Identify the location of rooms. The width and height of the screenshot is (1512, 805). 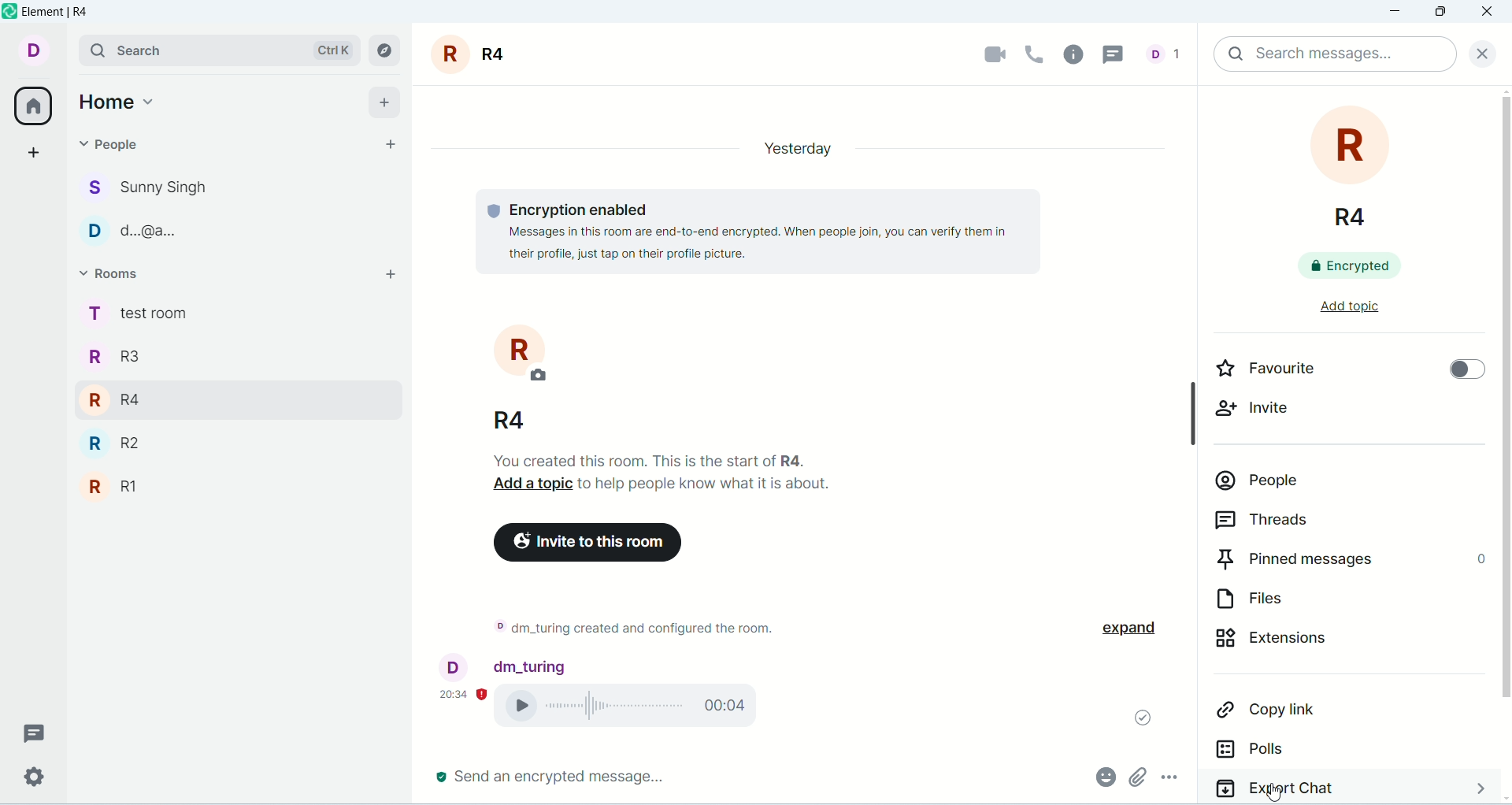
(136, 406).